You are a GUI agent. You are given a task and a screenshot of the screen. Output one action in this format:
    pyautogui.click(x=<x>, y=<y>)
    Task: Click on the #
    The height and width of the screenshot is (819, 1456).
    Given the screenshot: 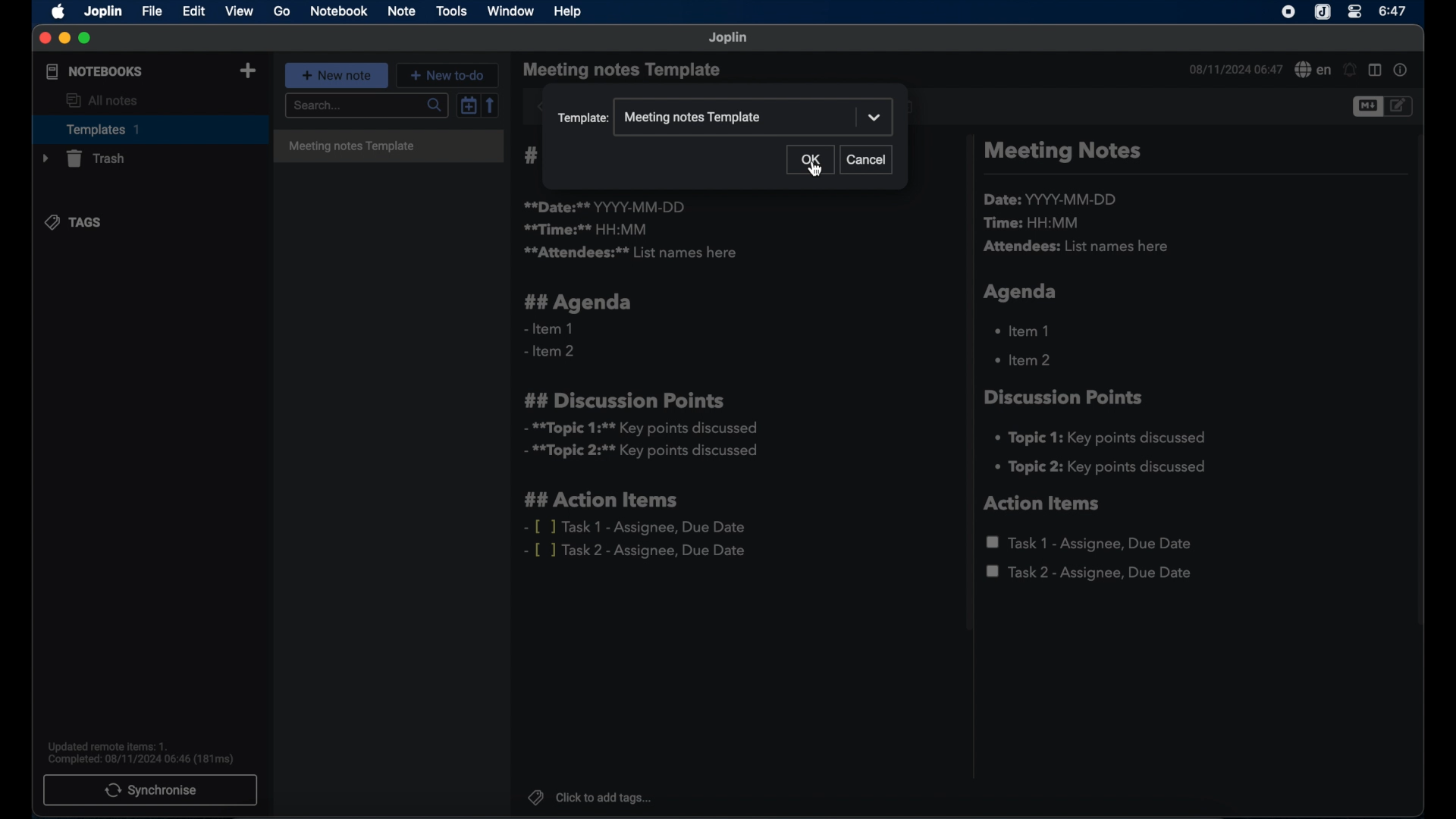 What is the action you would take?
    pyautogui.click(x=532, y=155)
    